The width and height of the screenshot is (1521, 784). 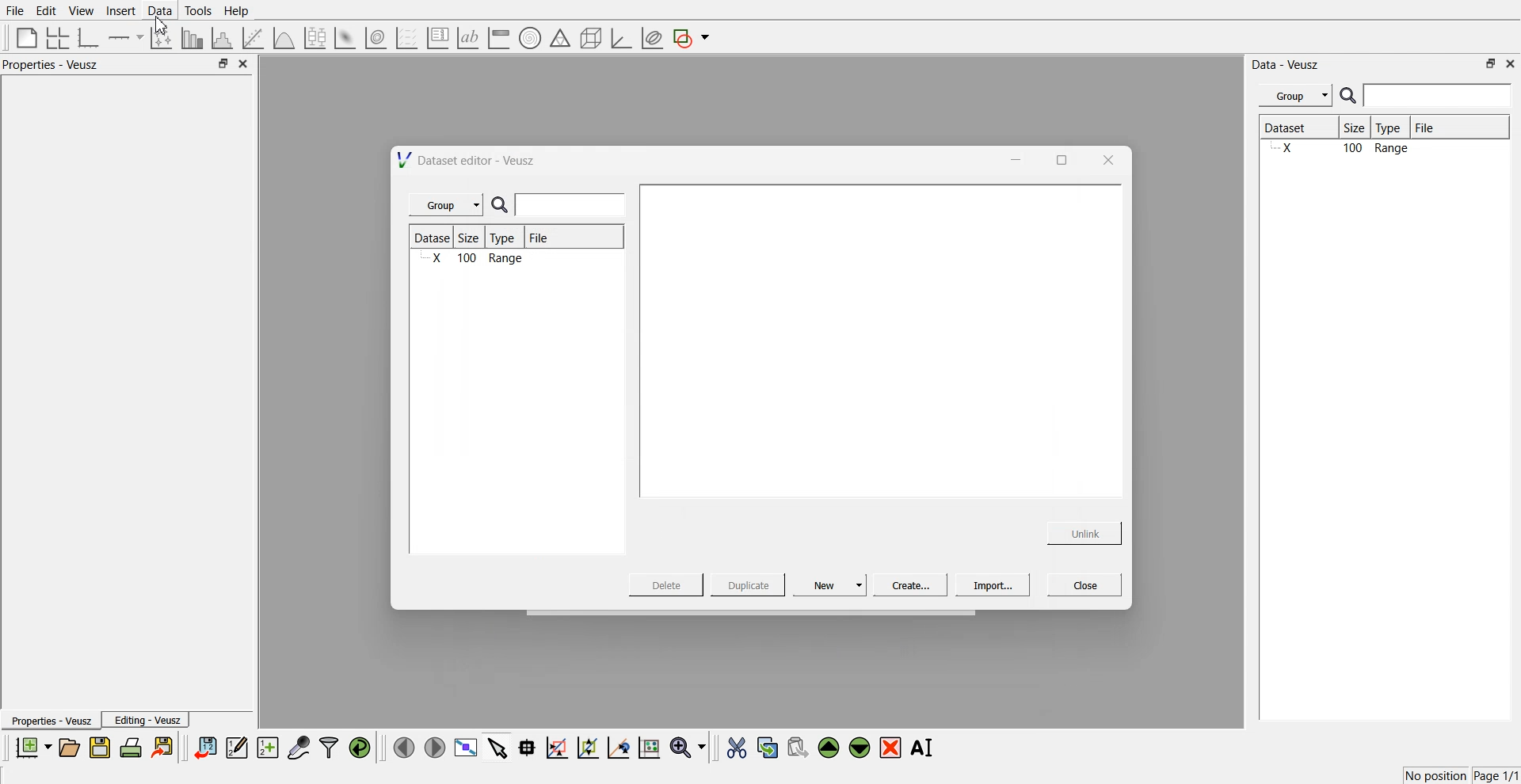 I want to click on Rename the selected widgets, so click(x=925, y=748).